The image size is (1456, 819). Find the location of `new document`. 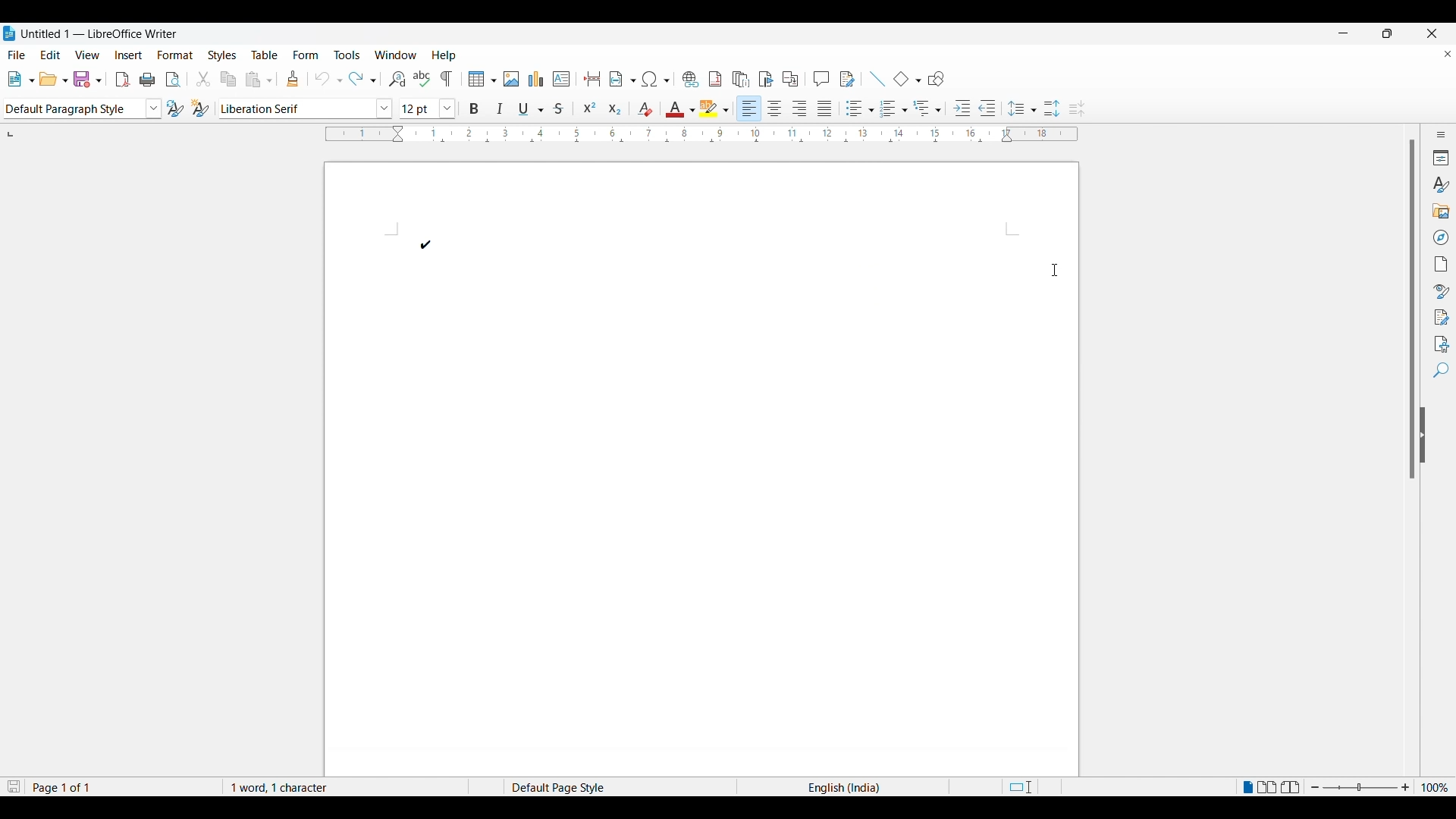

new document is located at coordinates (20, 78).